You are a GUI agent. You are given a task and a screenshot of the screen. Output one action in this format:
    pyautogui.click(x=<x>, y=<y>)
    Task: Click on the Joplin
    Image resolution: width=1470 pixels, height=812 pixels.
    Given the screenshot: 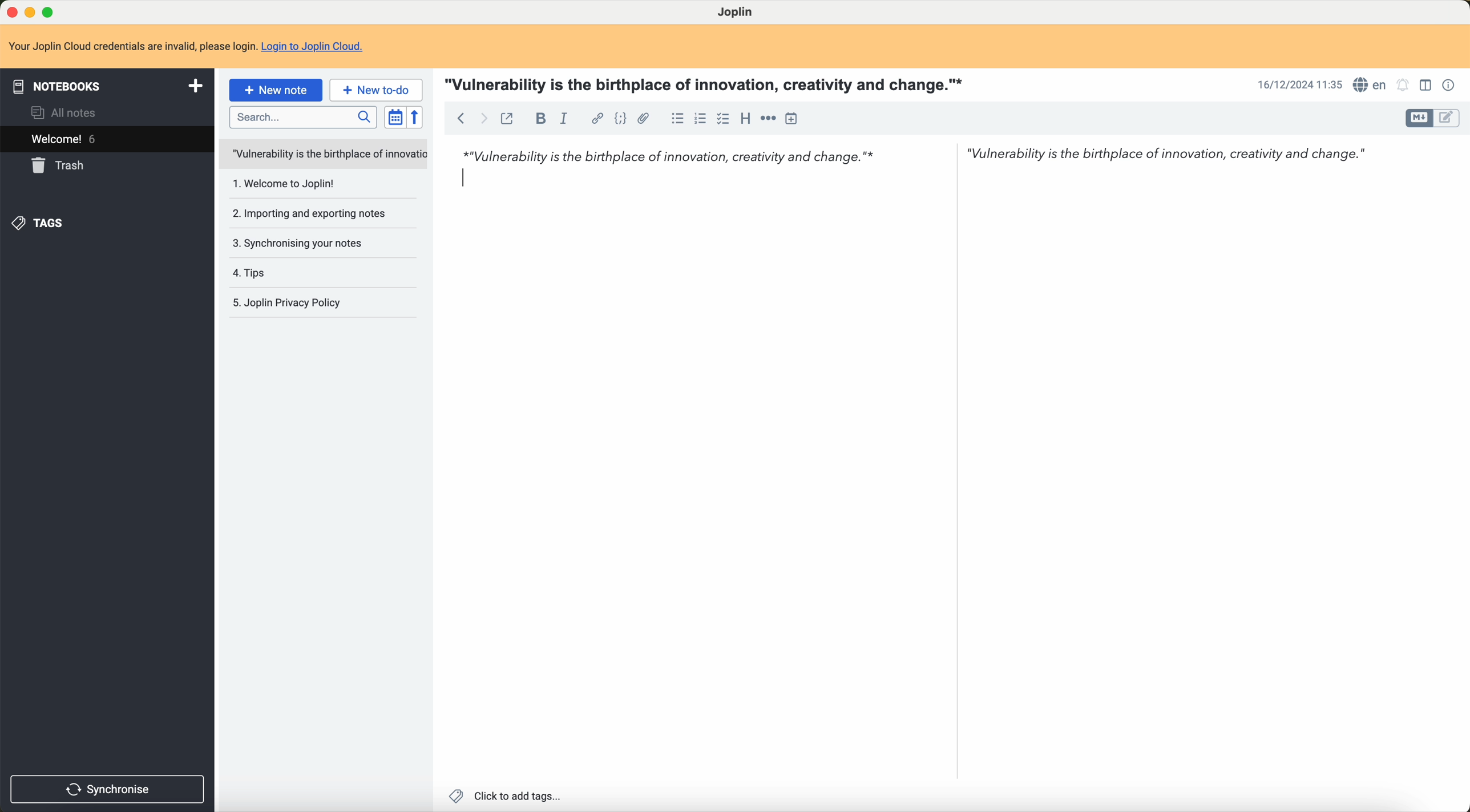 What is the action you would take?
    pyautogui.click(x=738, y=13)
    